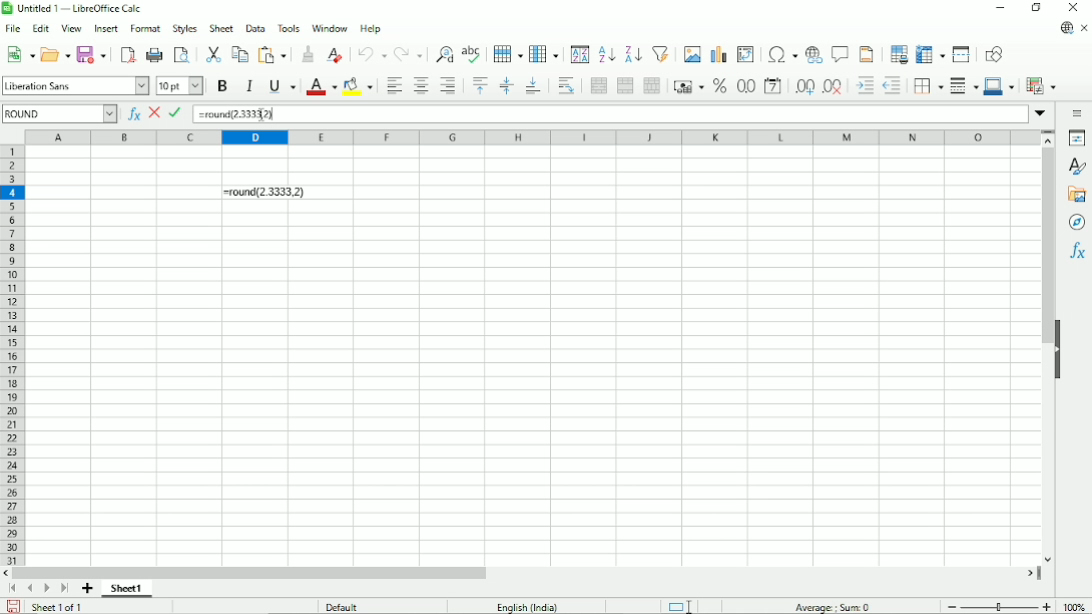  What do you see at coordinates (580, 53) in the screenshot?
I see `Sort` at bounding box center [580, 53].